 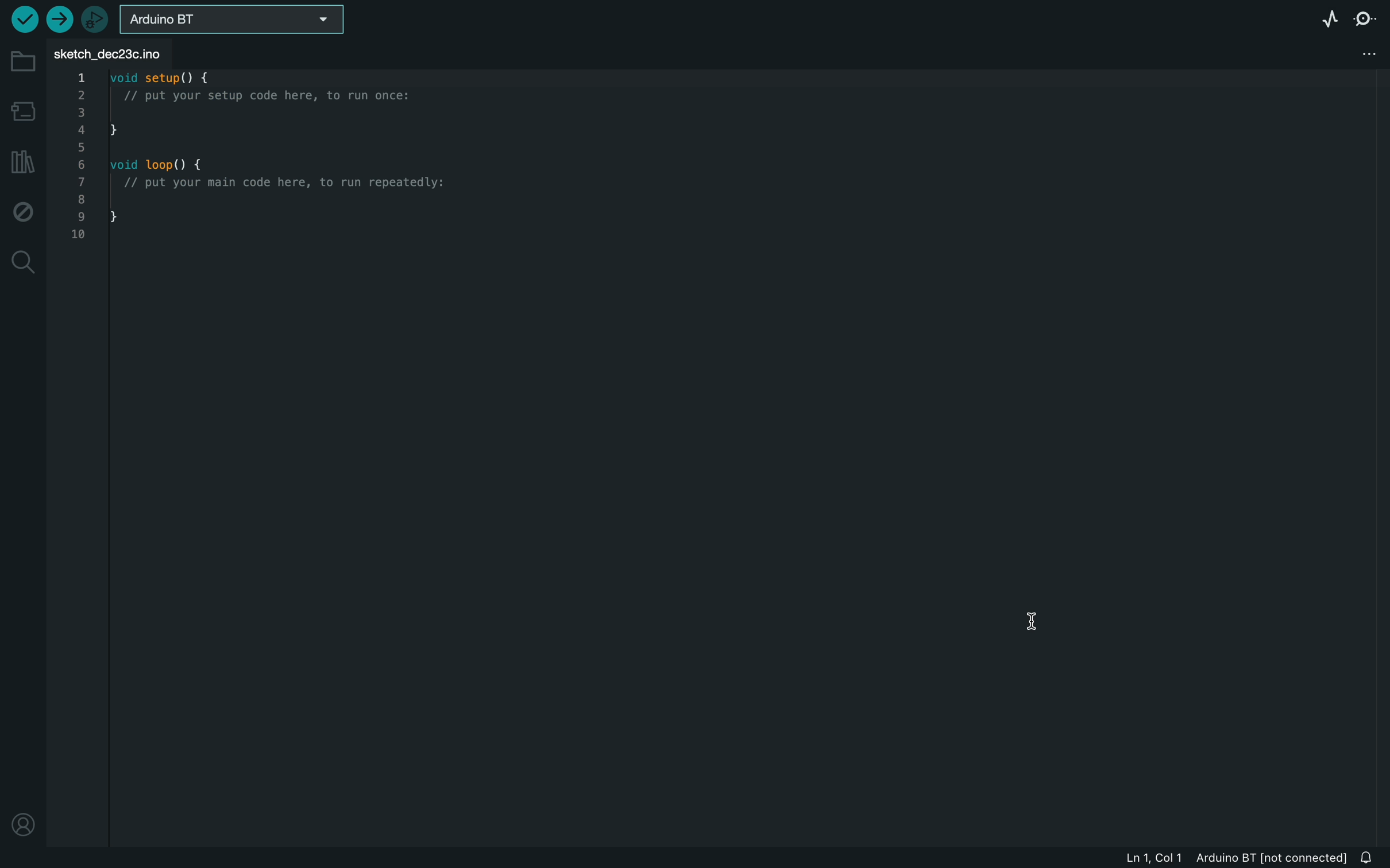 I want to click on search, so click(x=24, y=262).